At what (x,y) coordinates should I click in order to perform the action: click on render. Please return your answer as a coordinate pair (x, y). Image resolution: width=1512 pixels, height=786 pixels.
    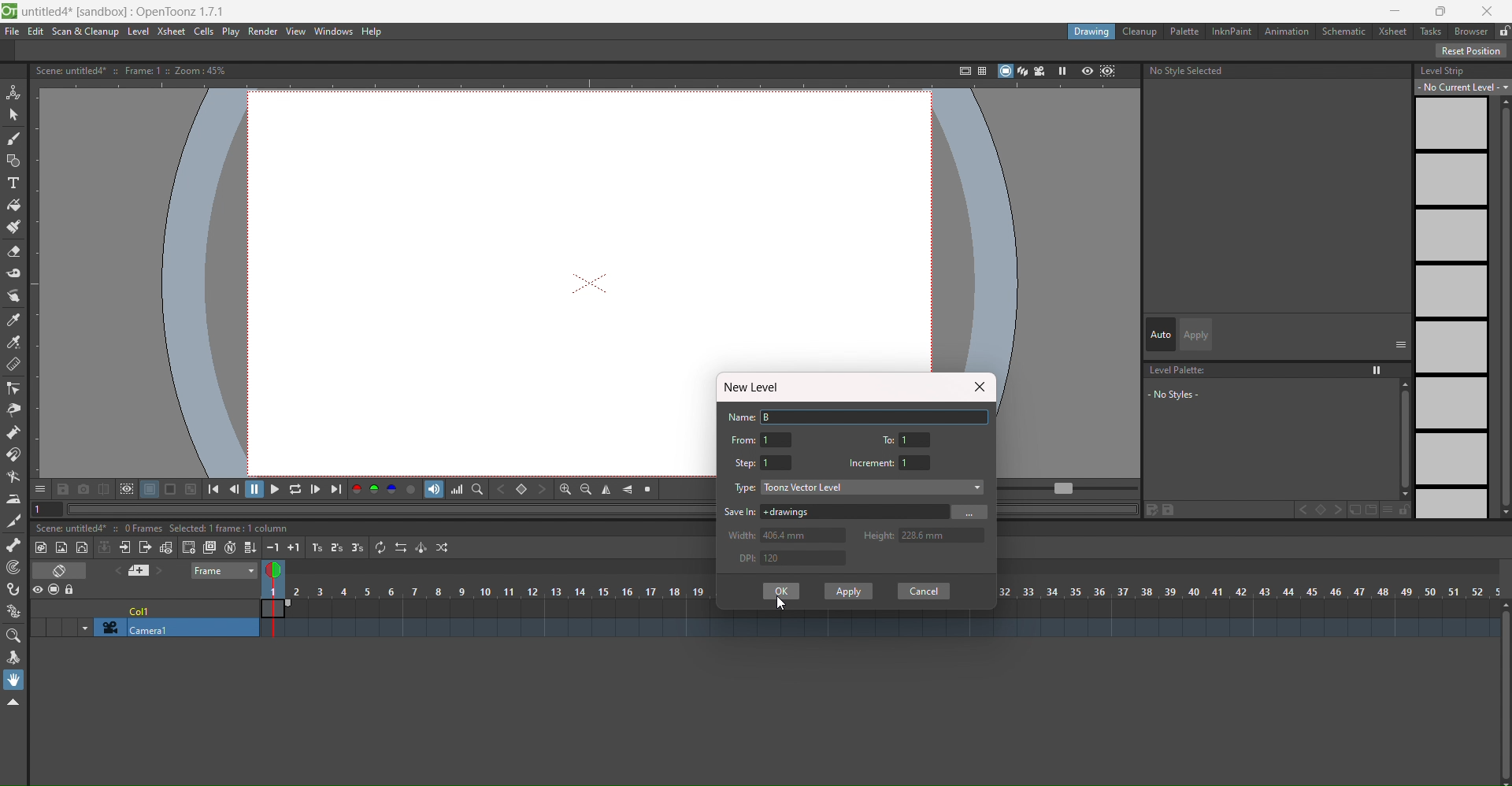
    Looking at the image, I should click on (265, 32).